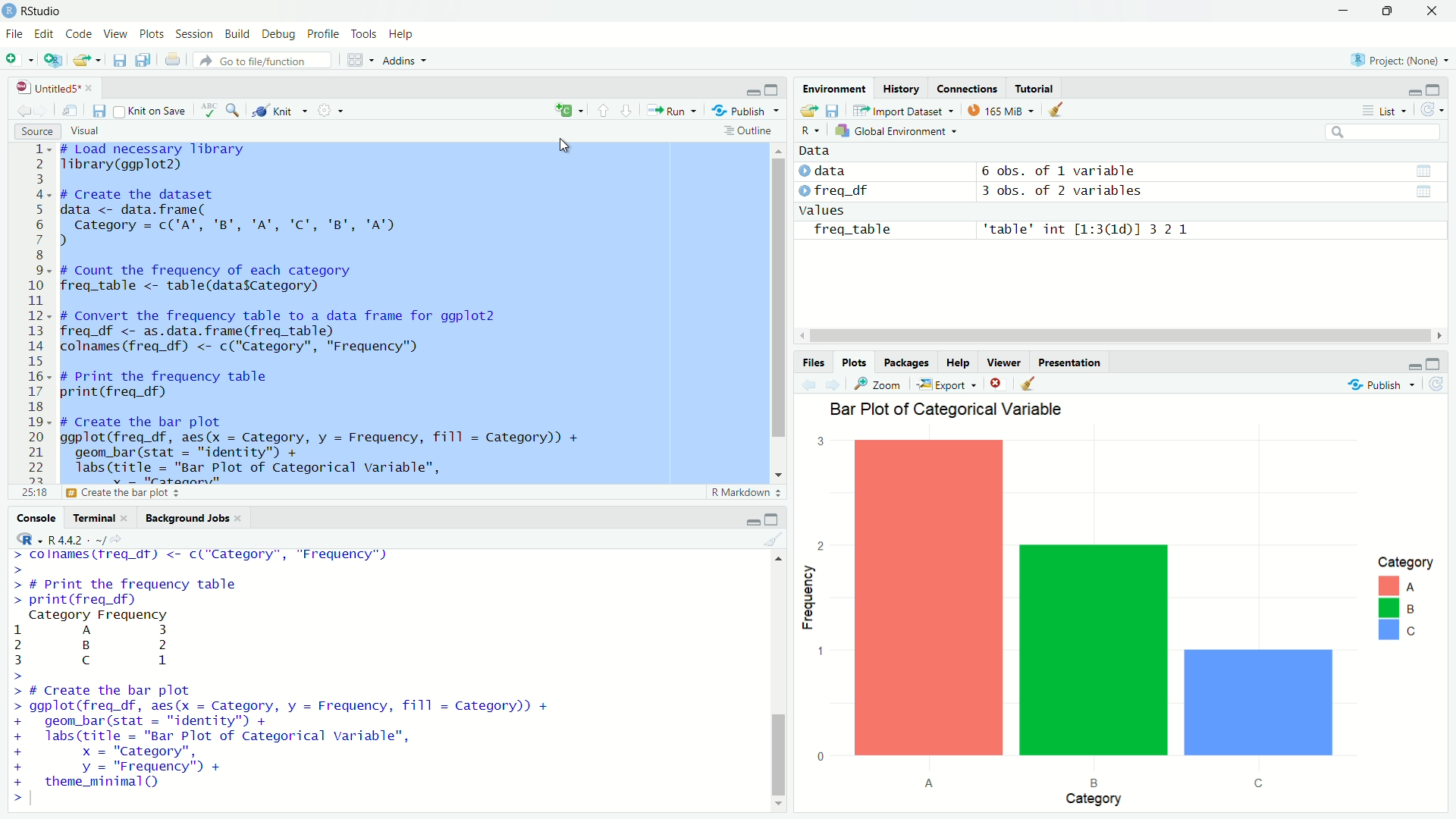  Describe the element at coordinates (17, 61) in the screenshot. I see `new file` at that location.